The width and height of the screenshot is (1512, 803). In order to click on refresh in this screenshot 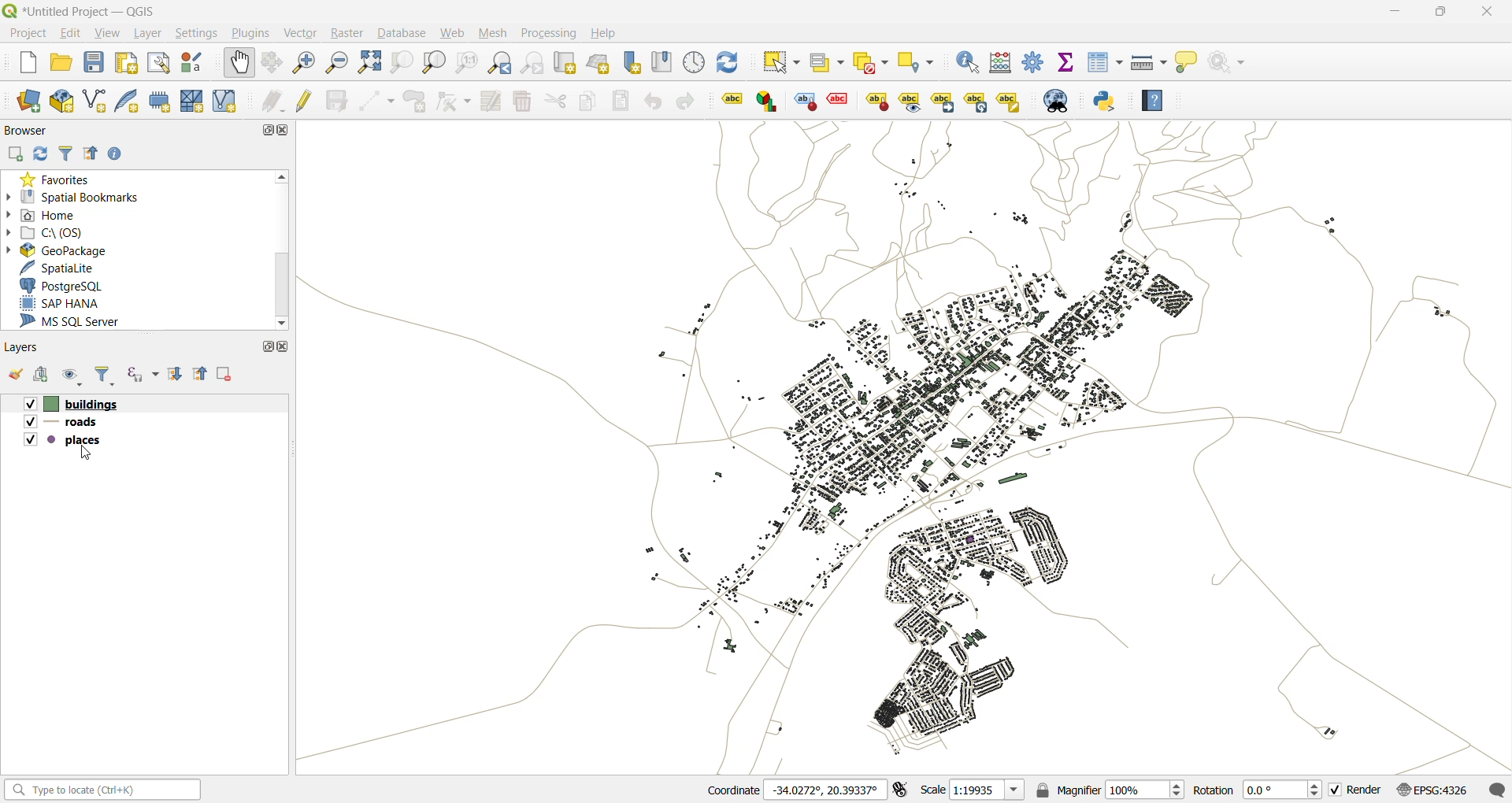, I will do `click(731, 63)`.